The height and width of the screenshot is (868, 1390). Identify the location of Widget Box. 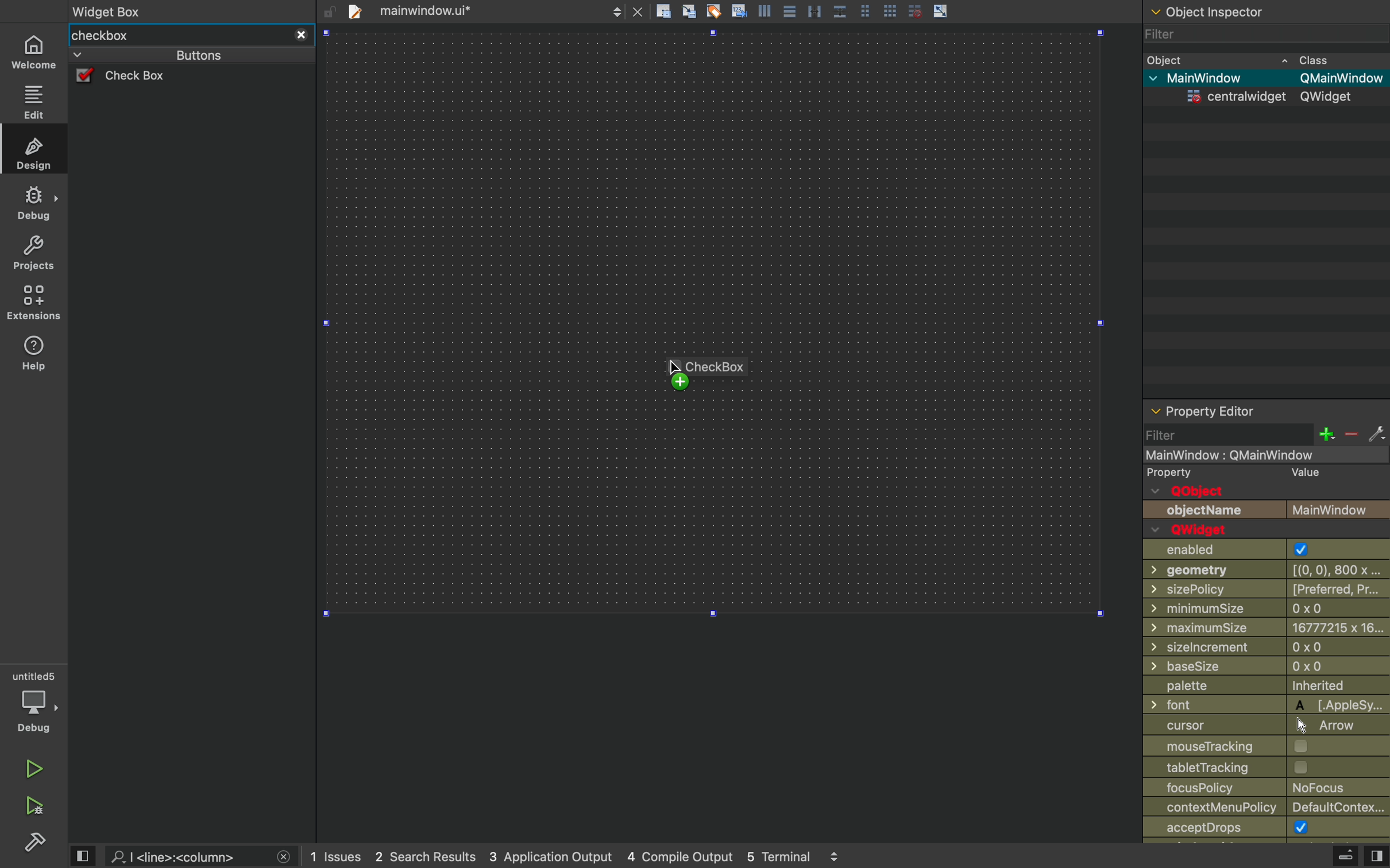
(111, 10).